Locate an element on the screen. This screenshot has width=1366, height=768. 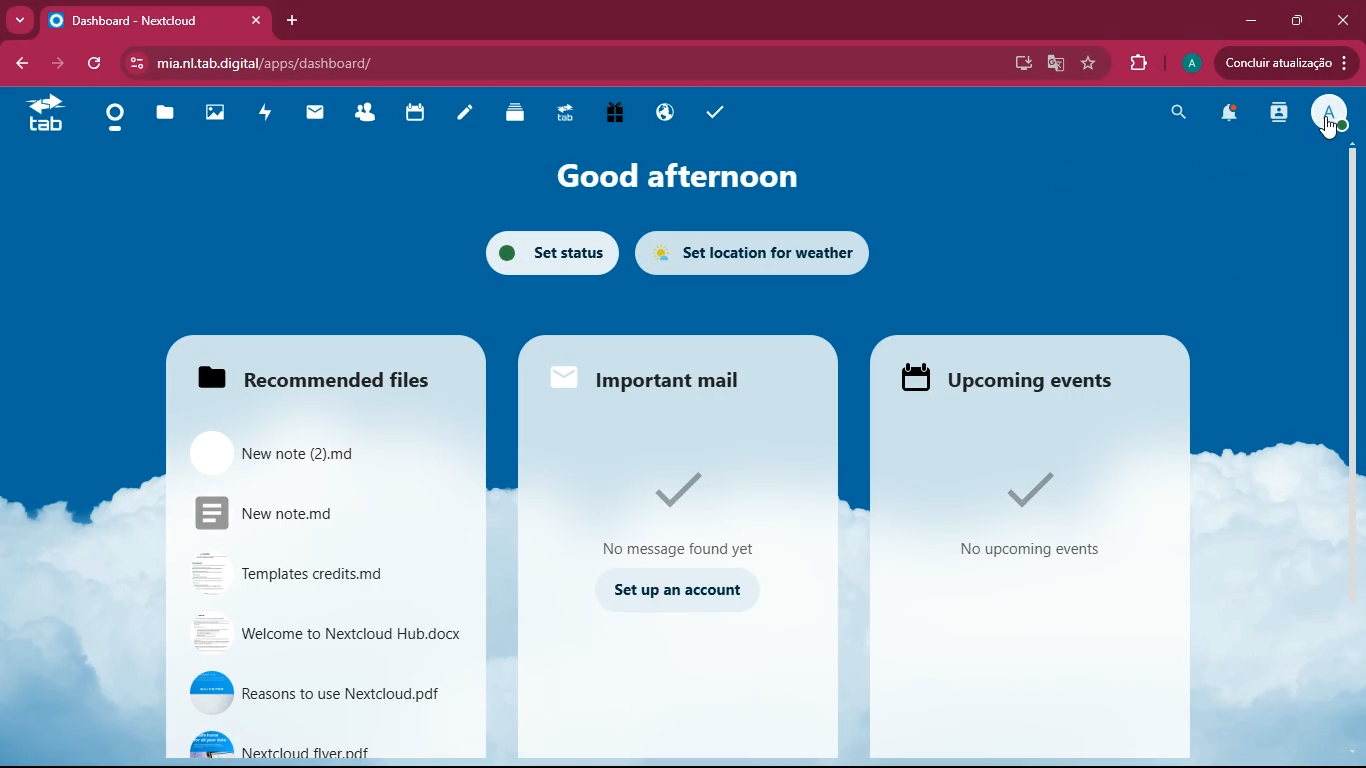
close is located at coordinates (1344, 17).